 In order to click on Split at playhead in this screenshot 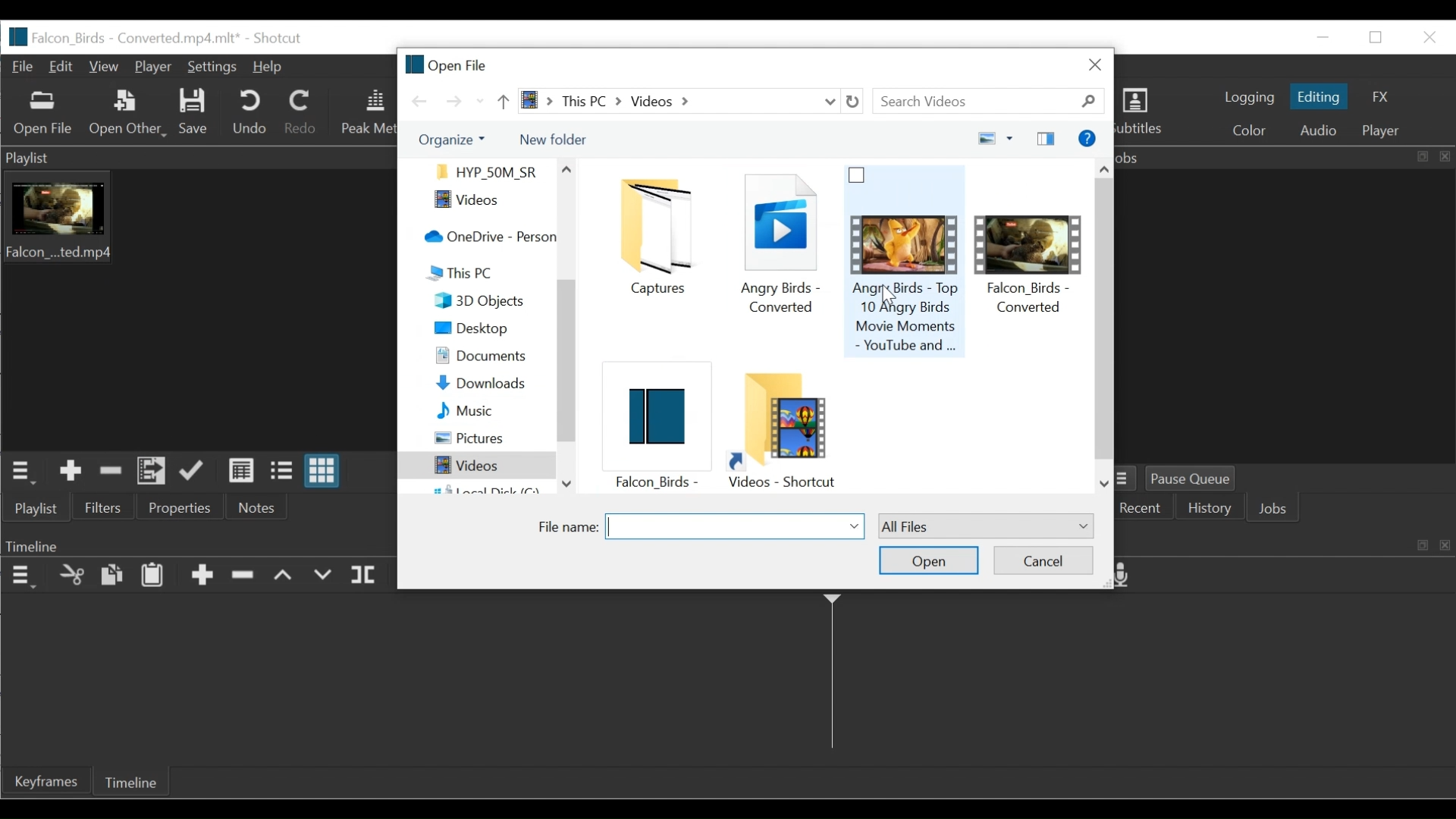, I will do `click(366, 576)`.